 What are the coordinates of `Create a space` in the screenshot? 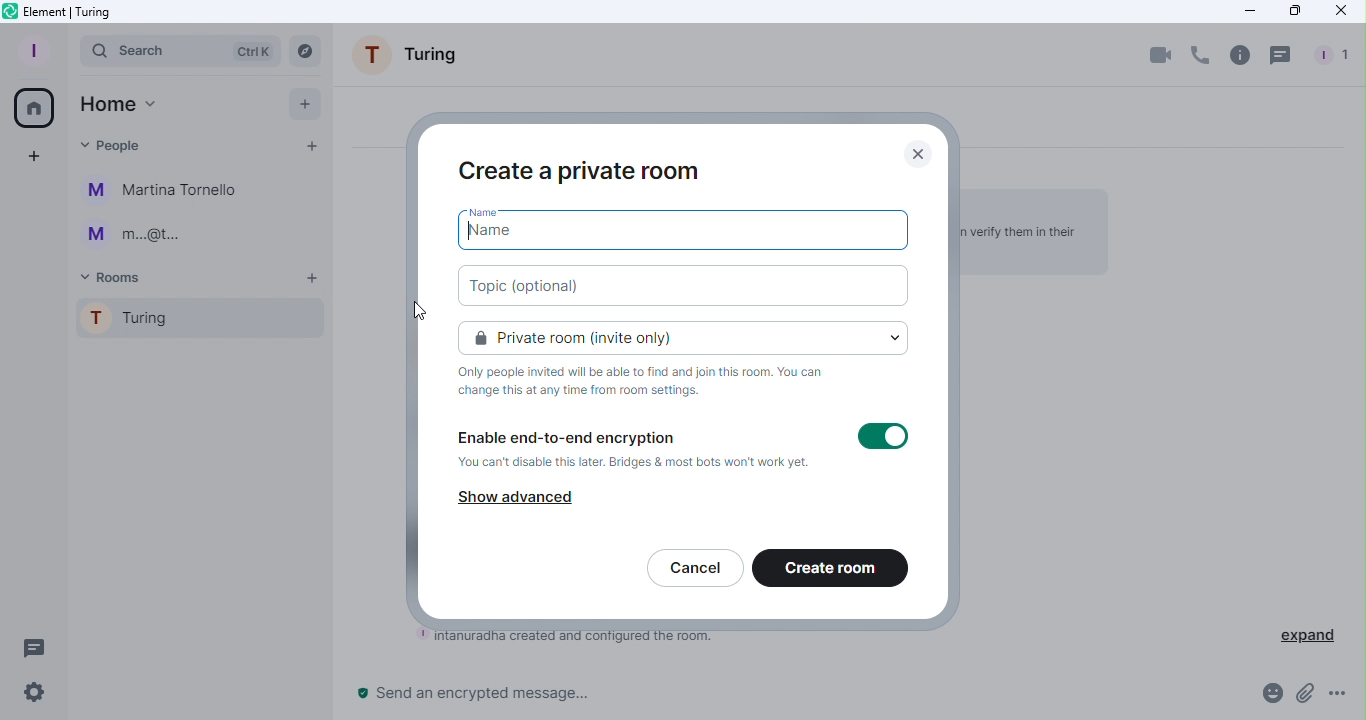 It's located at (35, 157).